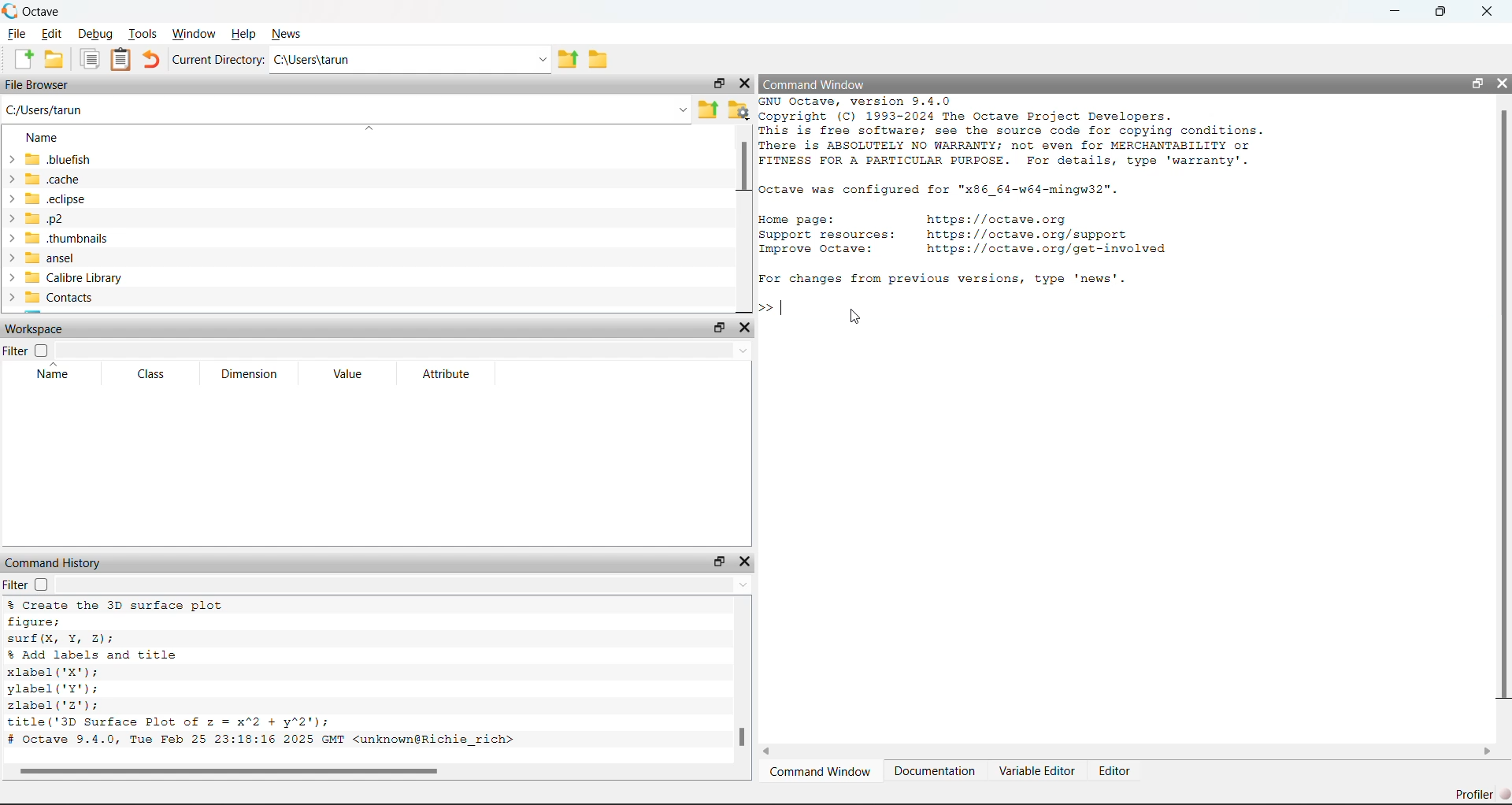 This screenshot has height=805, width=1512. Describe the element at coordinates (744, 689) in the screenshot. I see `Scroll` at that location.